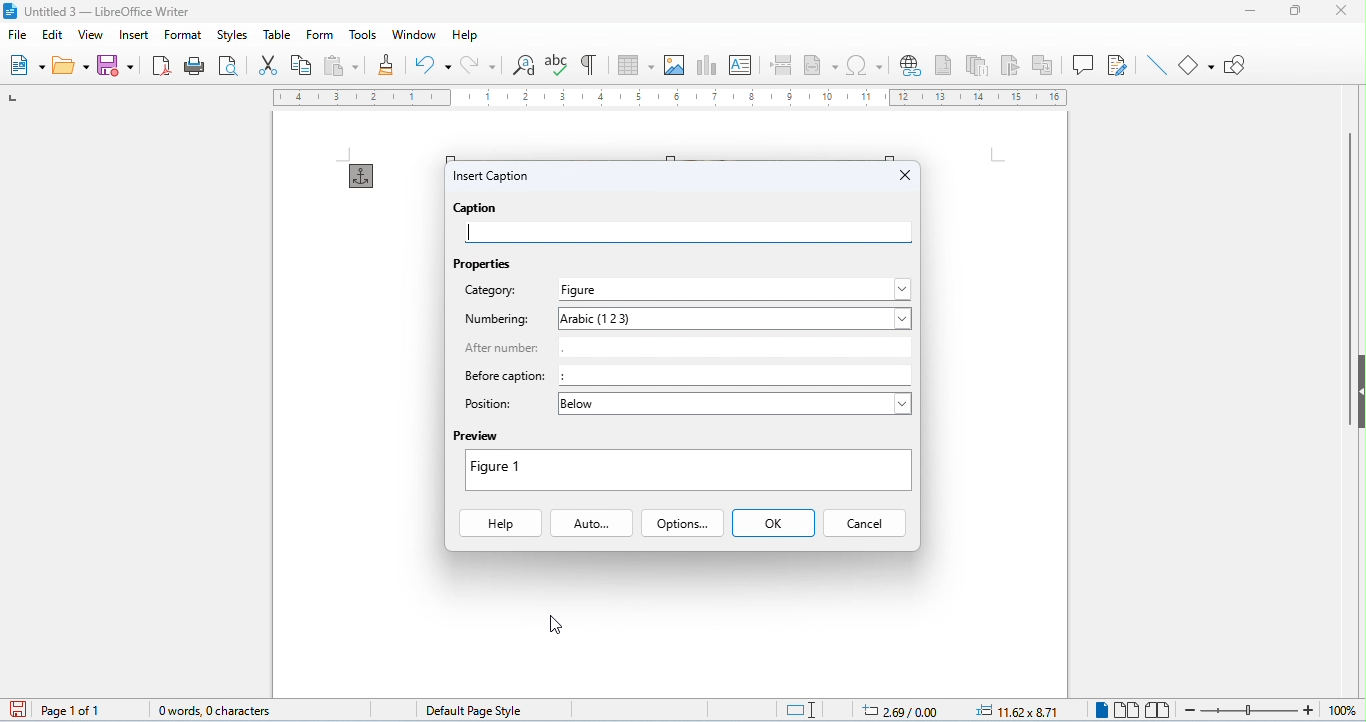 This screenshot has width=1366, height=722. I want to click on select category, so click(733, 290).